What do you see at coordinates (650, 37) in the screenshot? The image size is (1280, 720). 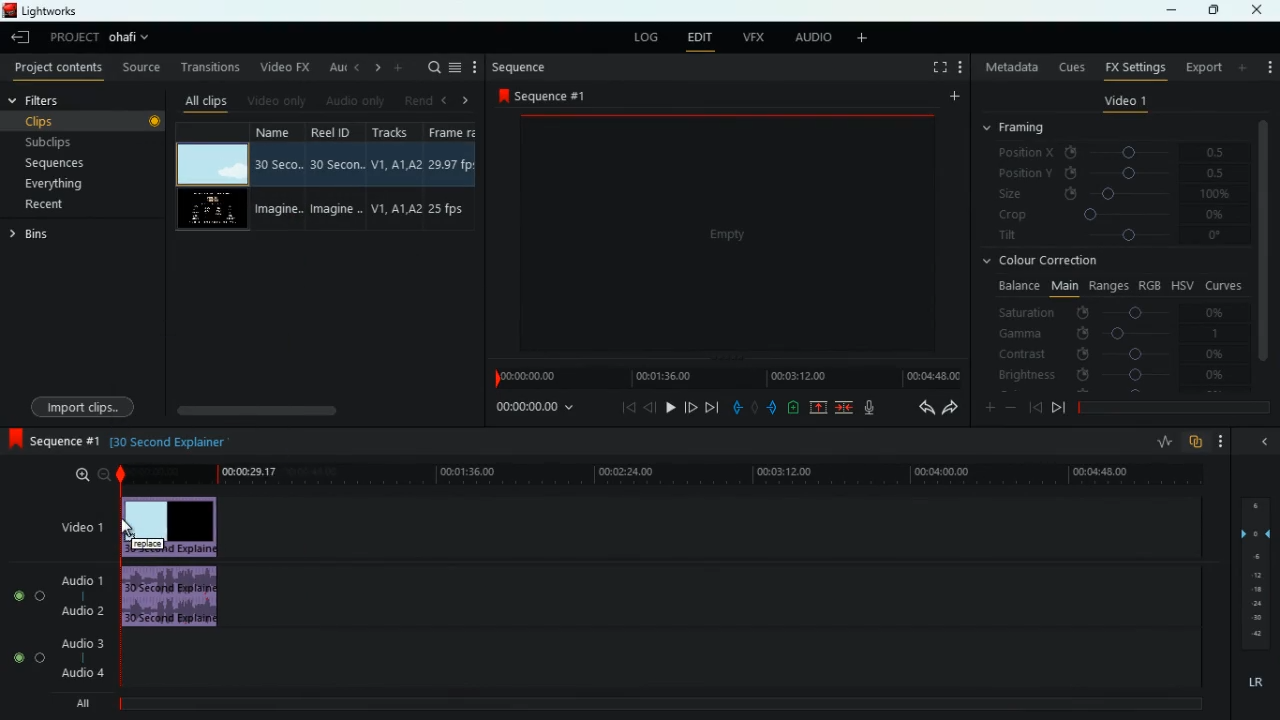 I see `log` at bounding box center [650, 37].